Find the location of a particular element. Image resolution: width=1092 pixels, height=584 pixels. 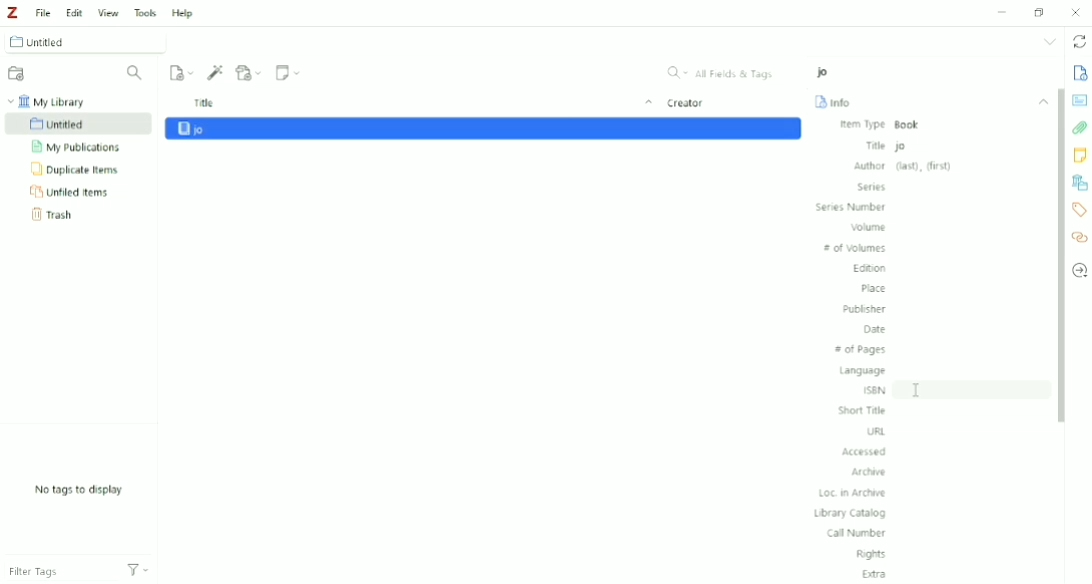

Libraries and Collections is located at coordinates (1080, 183).